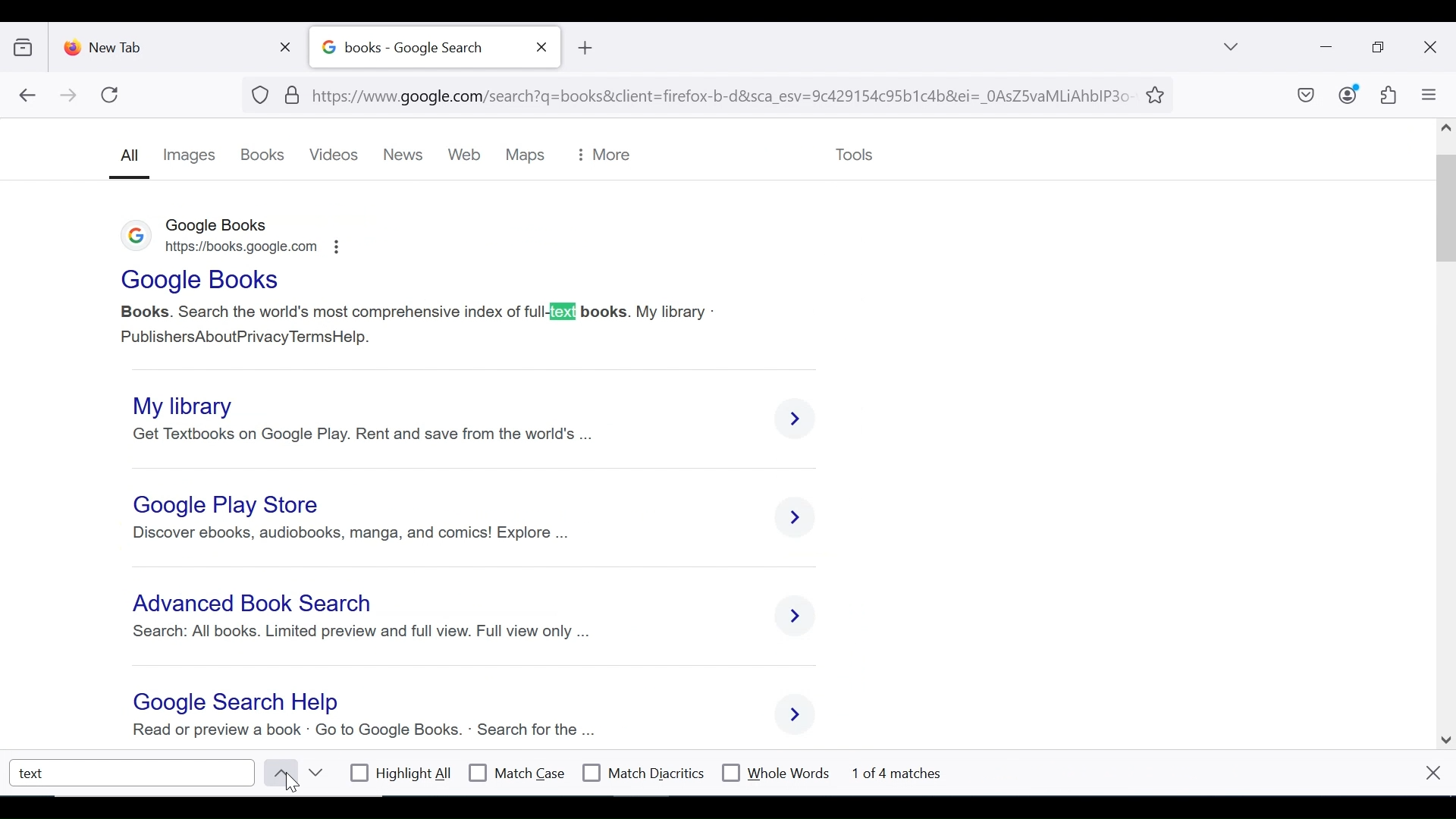 The image size is (1456, 819). Describe the element at coordinates (359, 637) in the screenshot. I see `search: all books. limited preview and full view. Full view only ...` at that location.